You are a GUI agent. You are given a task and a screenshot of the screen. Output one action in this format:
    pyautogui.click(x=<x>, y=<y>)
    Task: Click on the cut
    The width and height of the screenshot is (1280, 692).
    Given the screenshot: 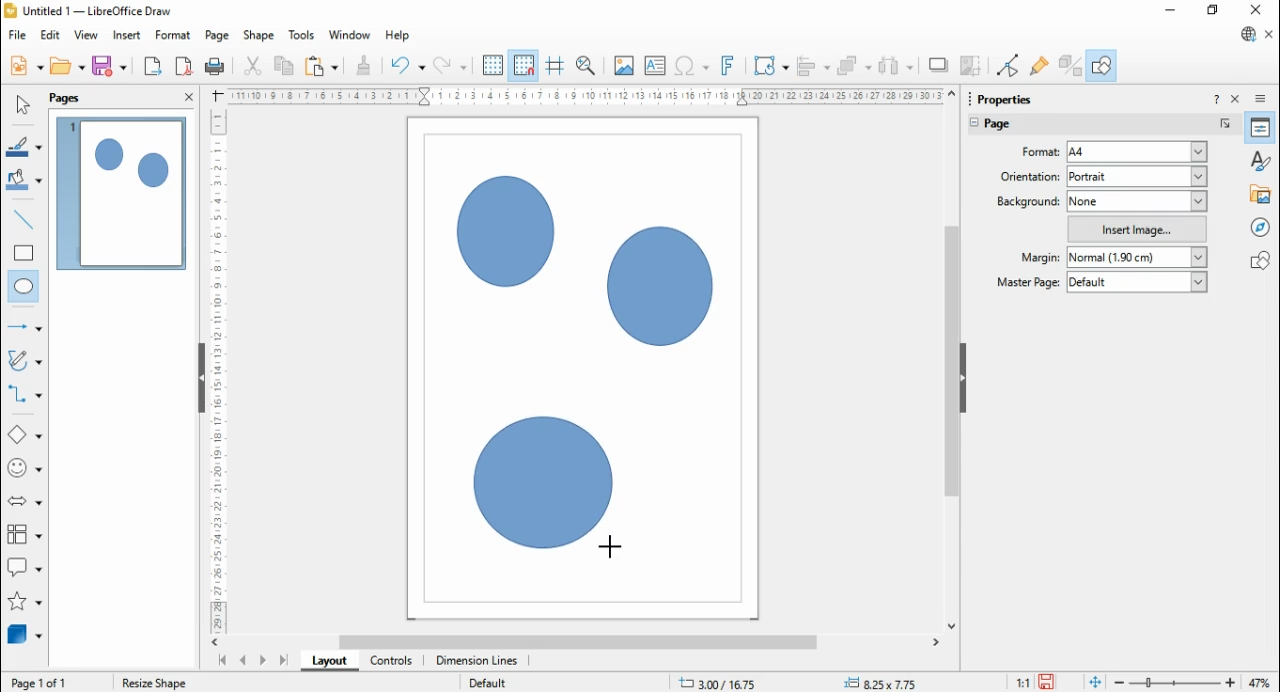 What is the action you would take?
    pyautogui.click(x=252, y=65)
    